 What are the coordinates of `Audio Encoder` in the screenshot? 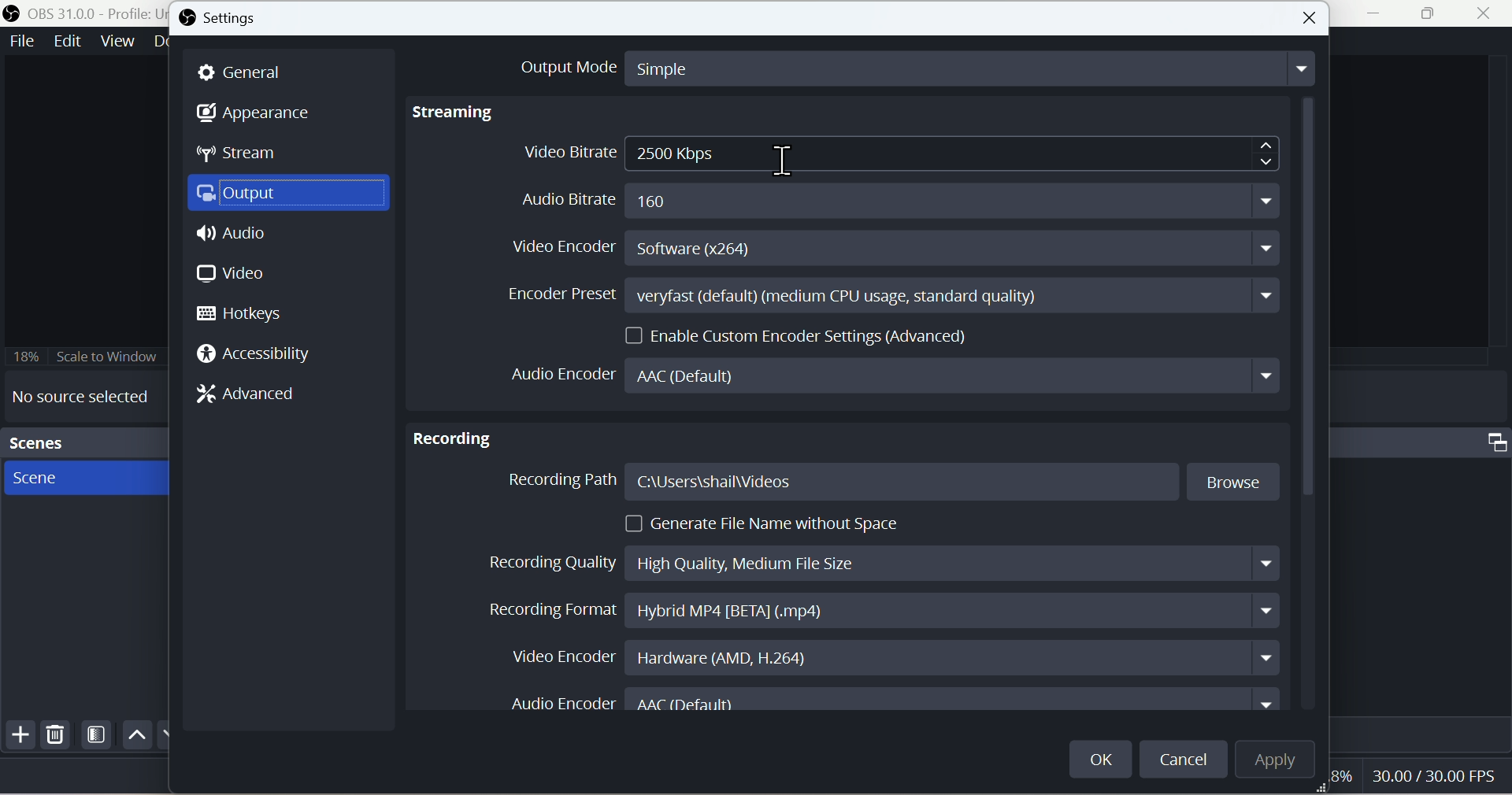 It's located at (892, 375).